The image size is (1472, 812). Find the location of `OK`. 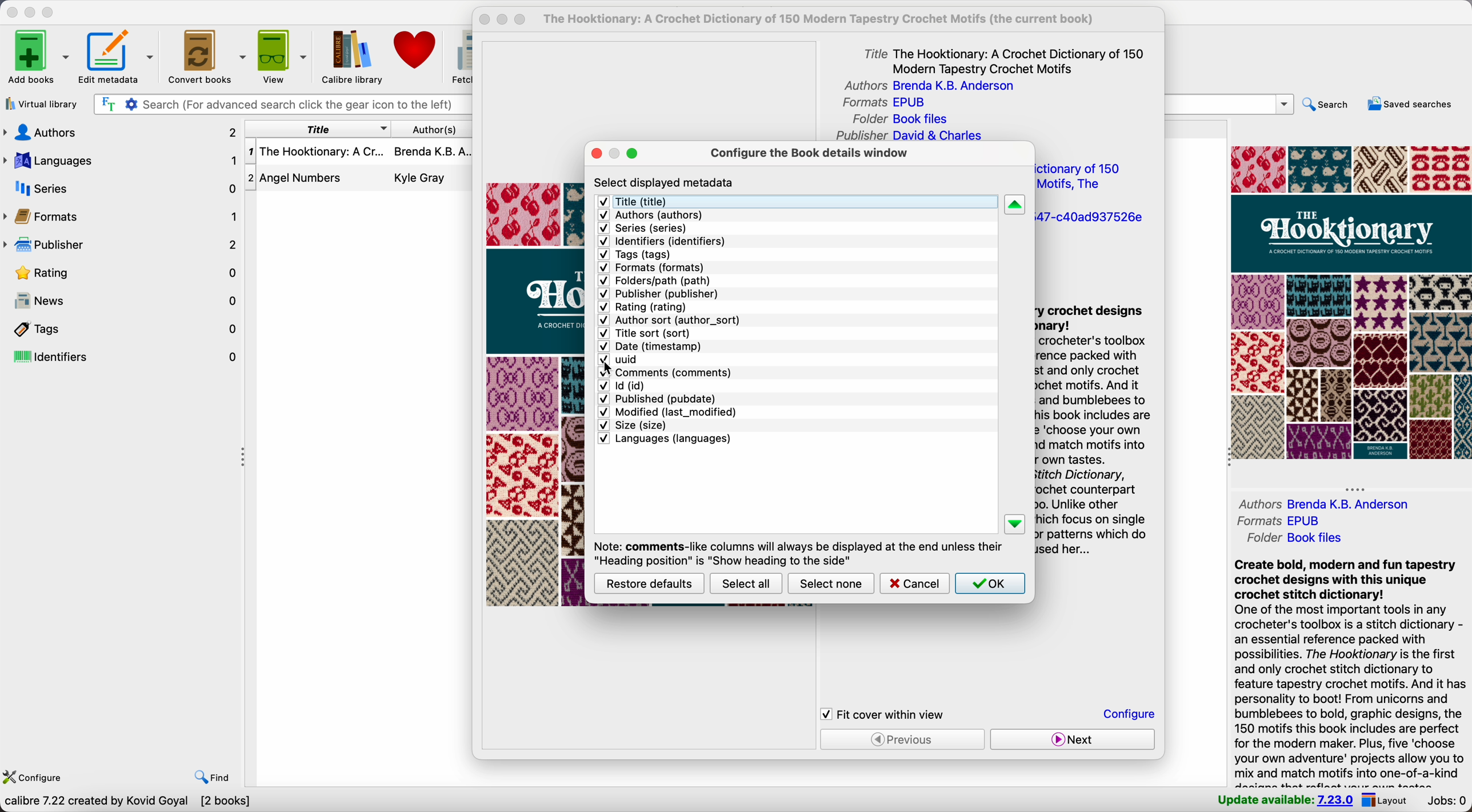

OK is located at coordinates (990, 583).